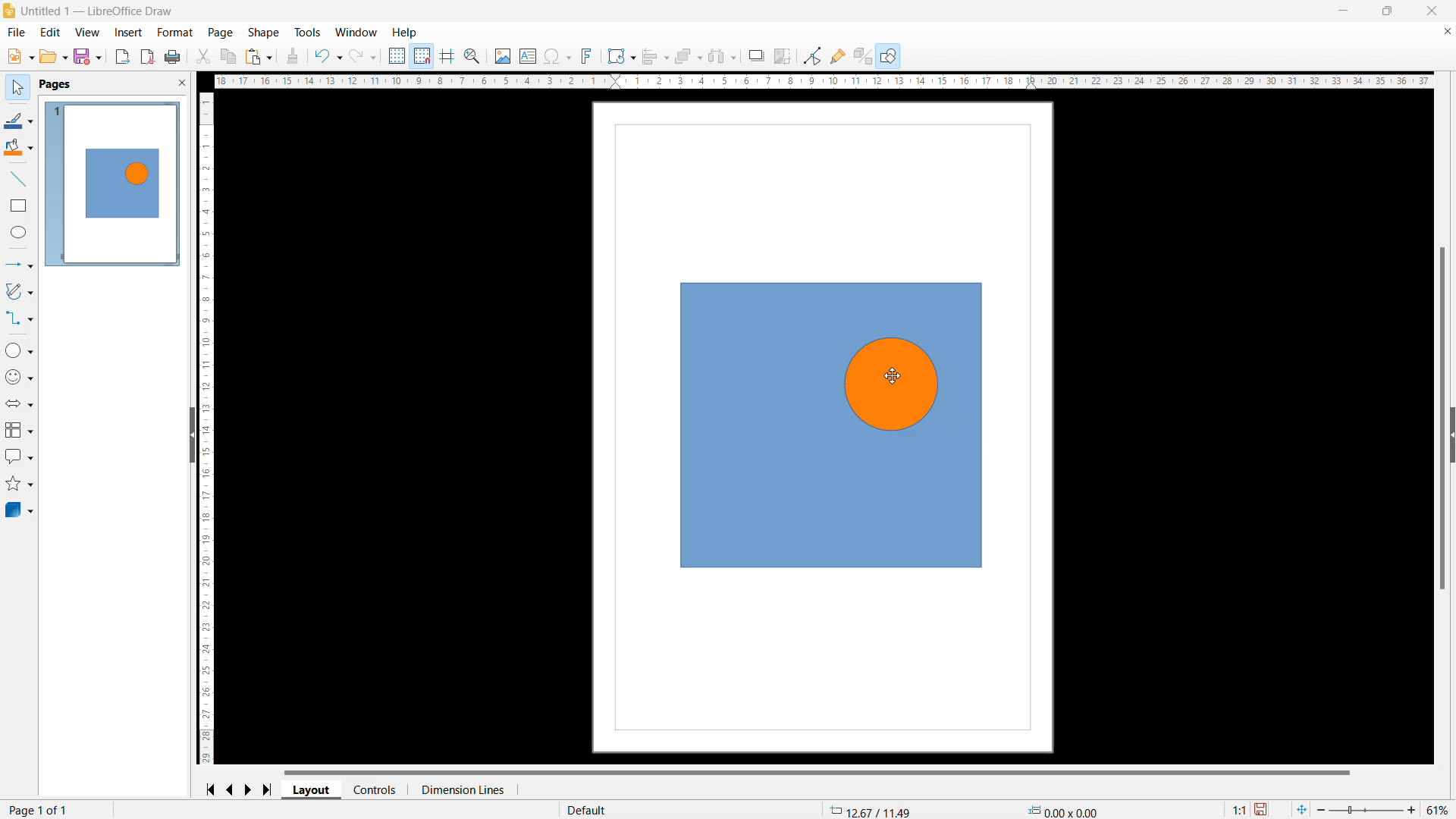 Image resolution: width=1456 pixels, height=819 pixels. Describe the element at coordinates (1452, 434) in the screenshot. I see `expand pane` at that location.